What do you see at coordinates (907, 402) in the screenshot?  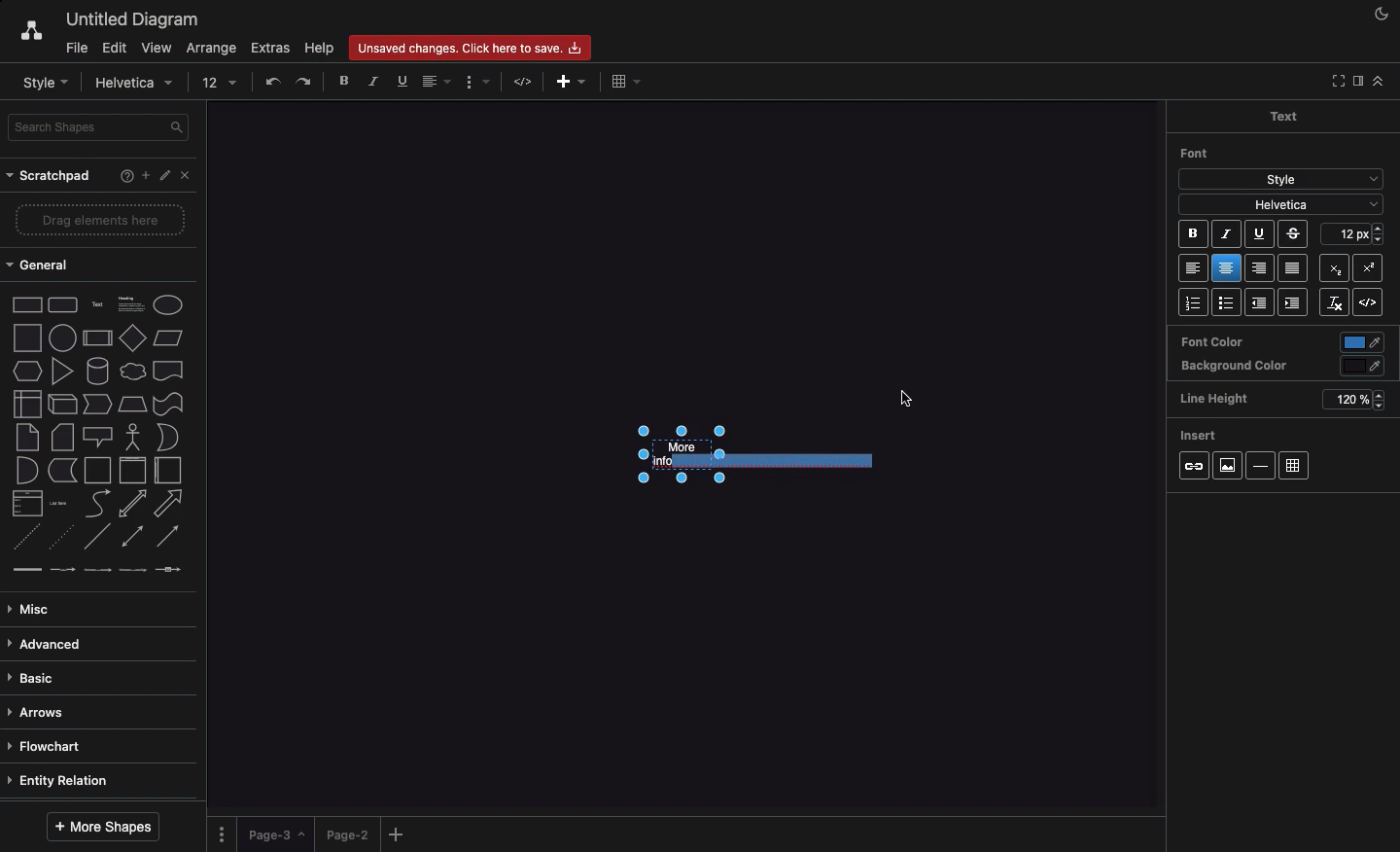 I see `Cursor` at bounding box center [907, 402].